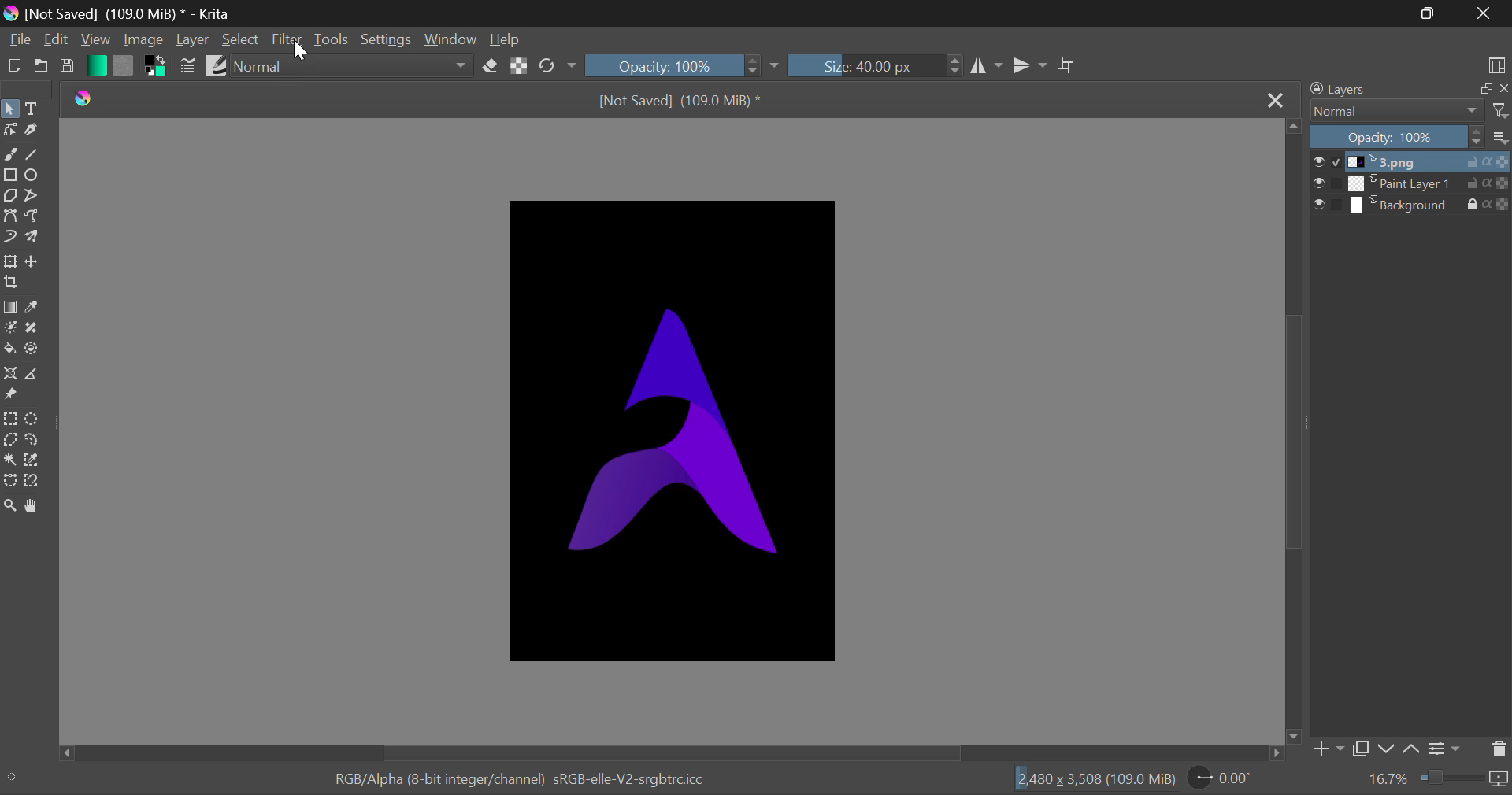  What do you see at coordinates (1408, 111) in the screenshot?
I see `Normal` at bounding box center [1408, 111].